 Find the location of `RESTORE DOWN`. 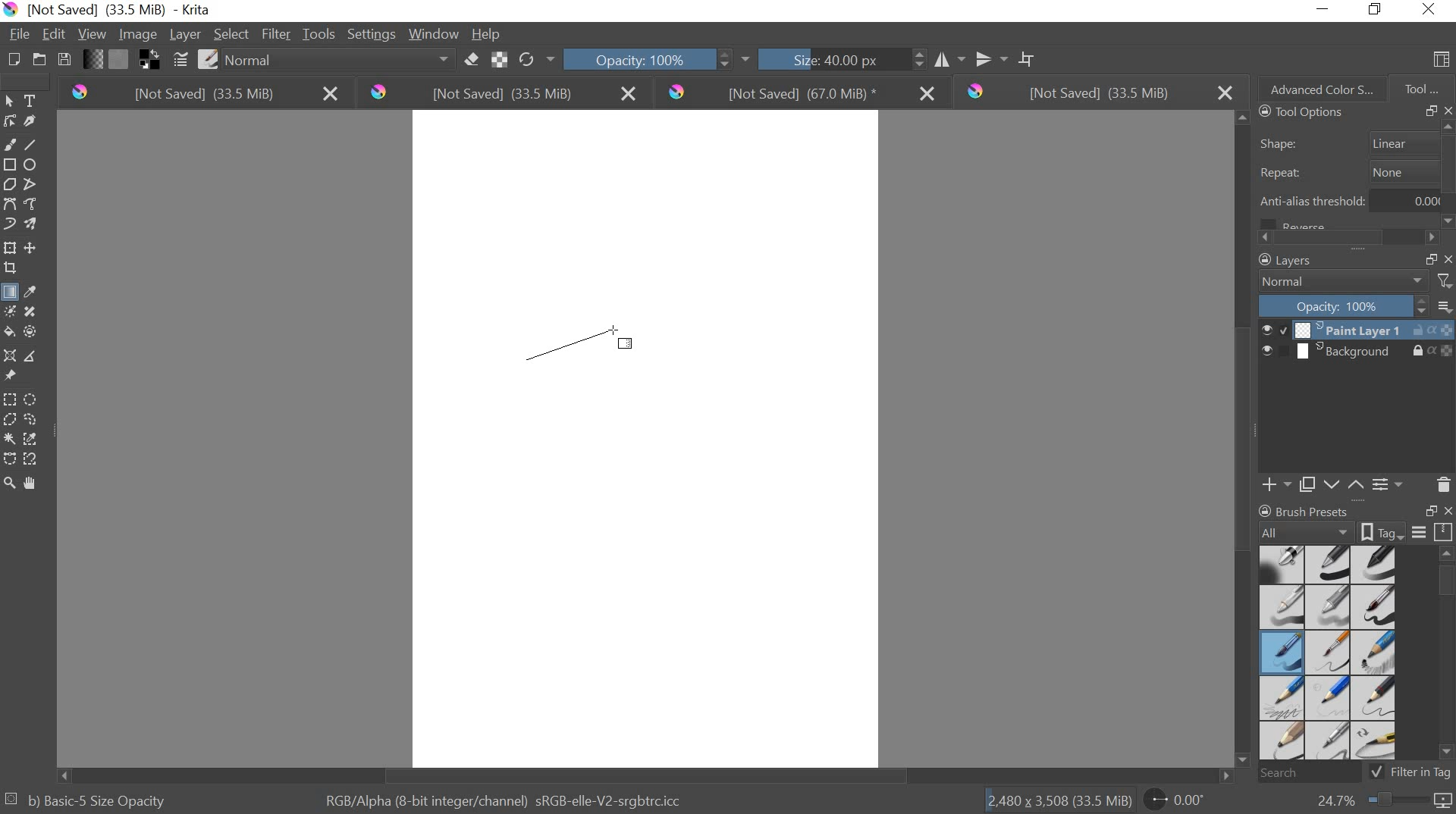

RESTORE DOWN is located at coordinates (1430, 258).